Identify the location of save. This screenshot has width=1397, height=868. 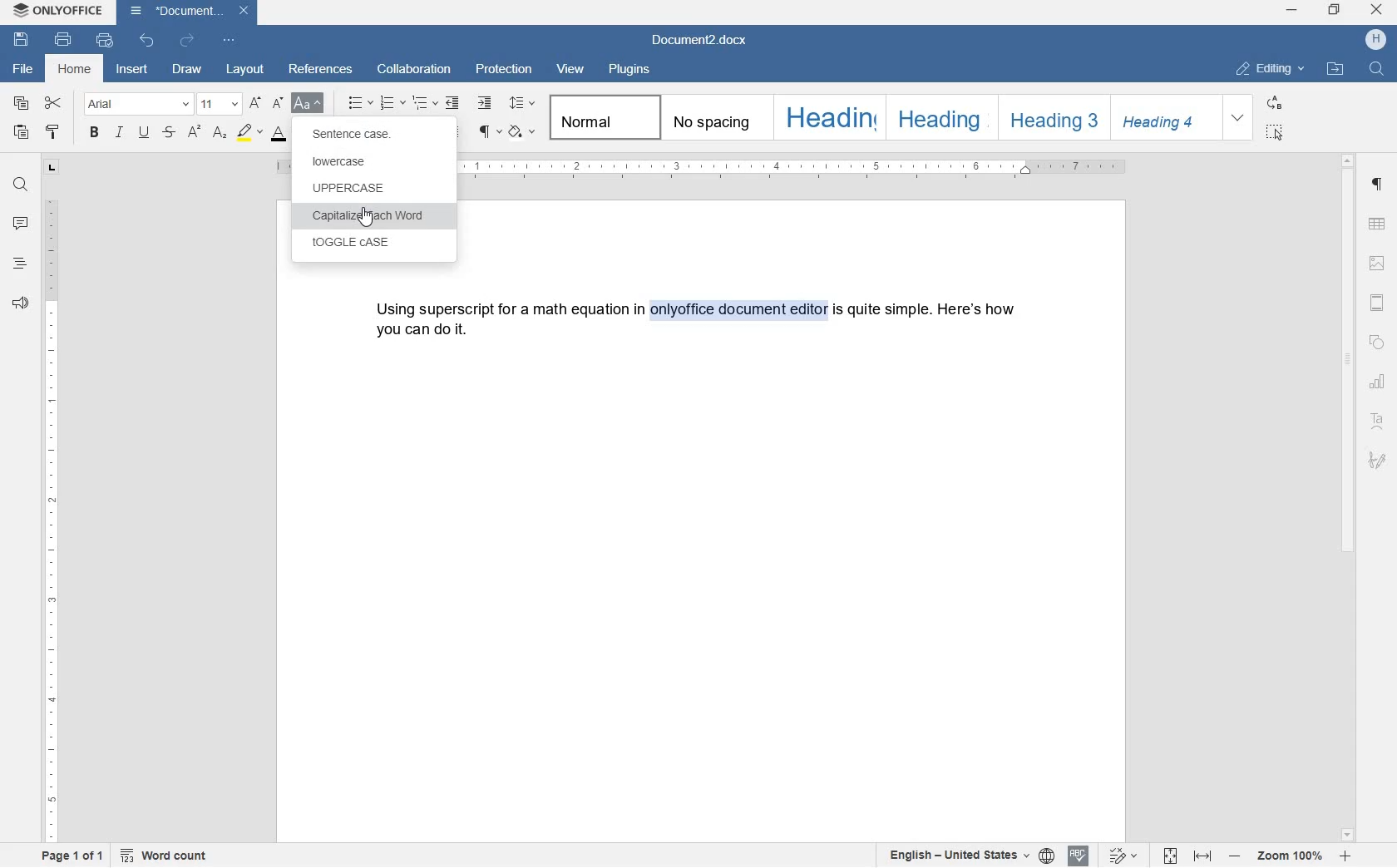
(23, 40).